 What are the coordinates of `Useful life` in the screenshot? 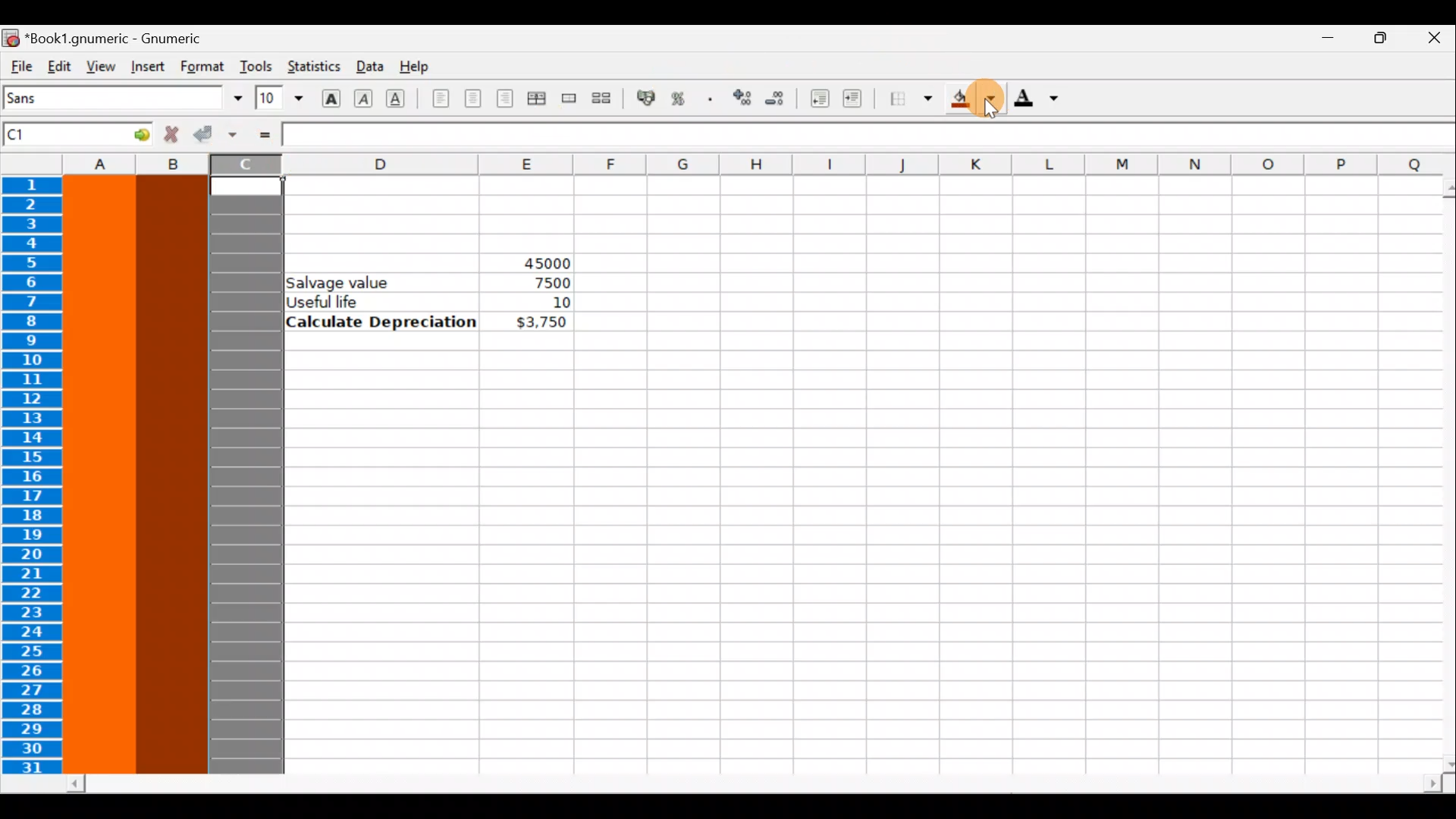 It's located at (384, 301).